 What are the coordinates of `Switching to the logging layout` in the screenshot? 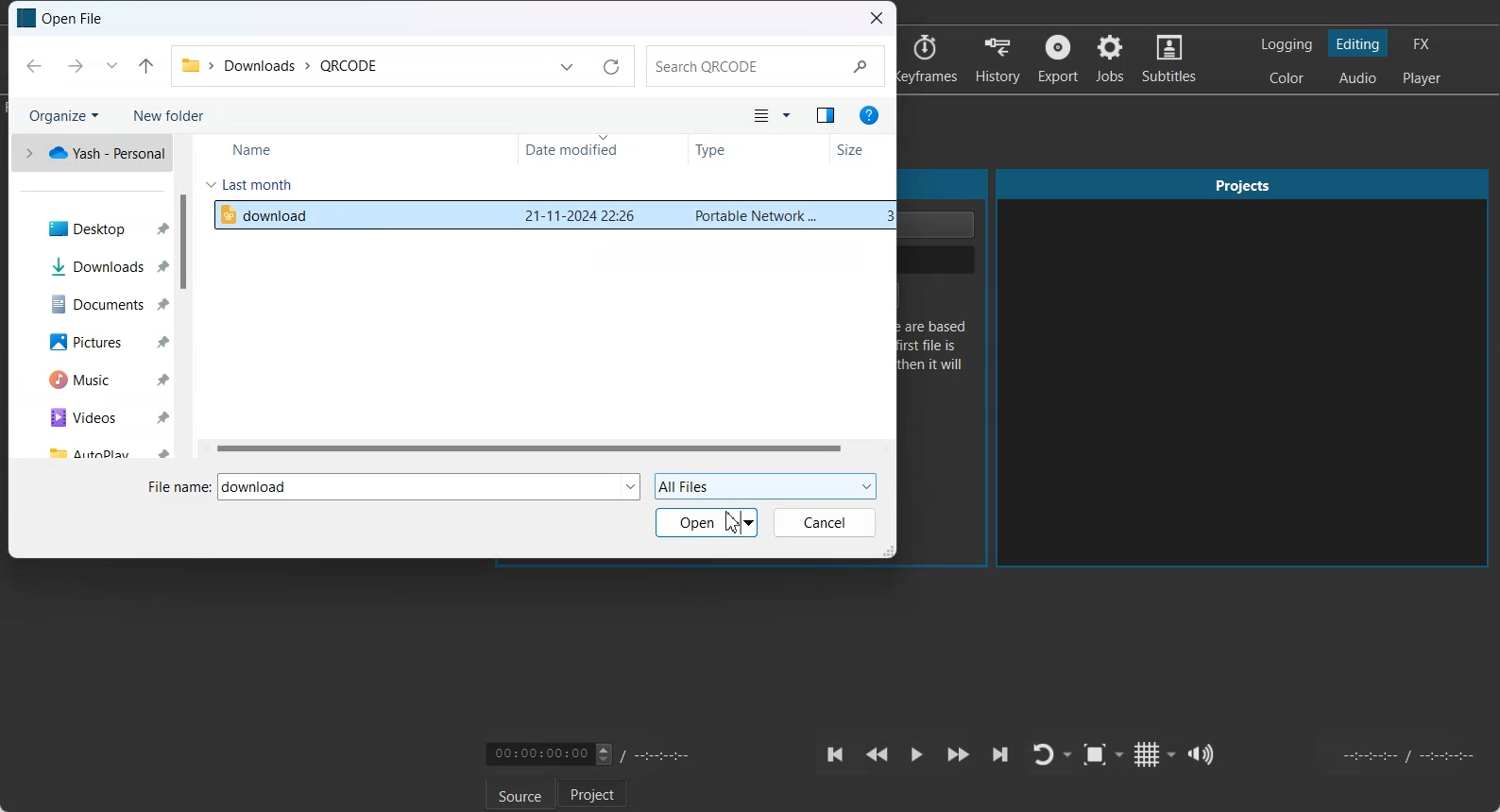 It's located at (1287, 44).